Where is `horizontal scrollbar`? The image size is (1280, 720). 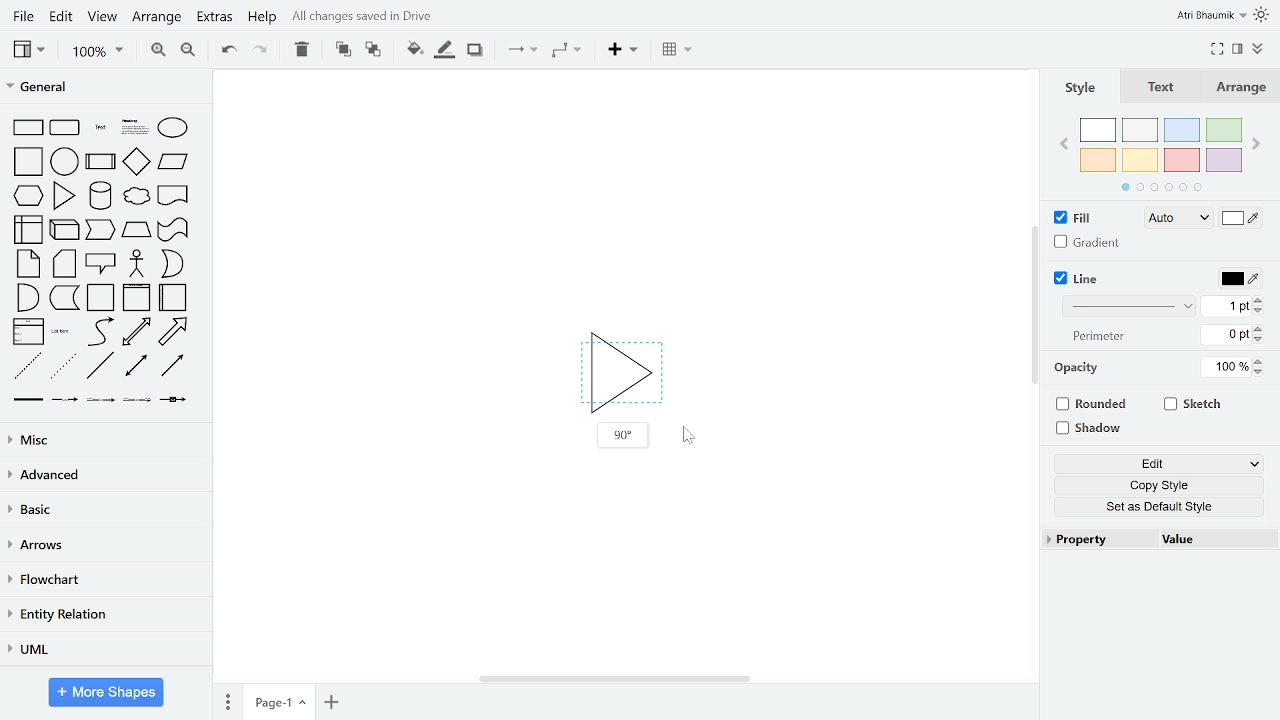
horizontal scrollbar is located at coordinates (614, 679).